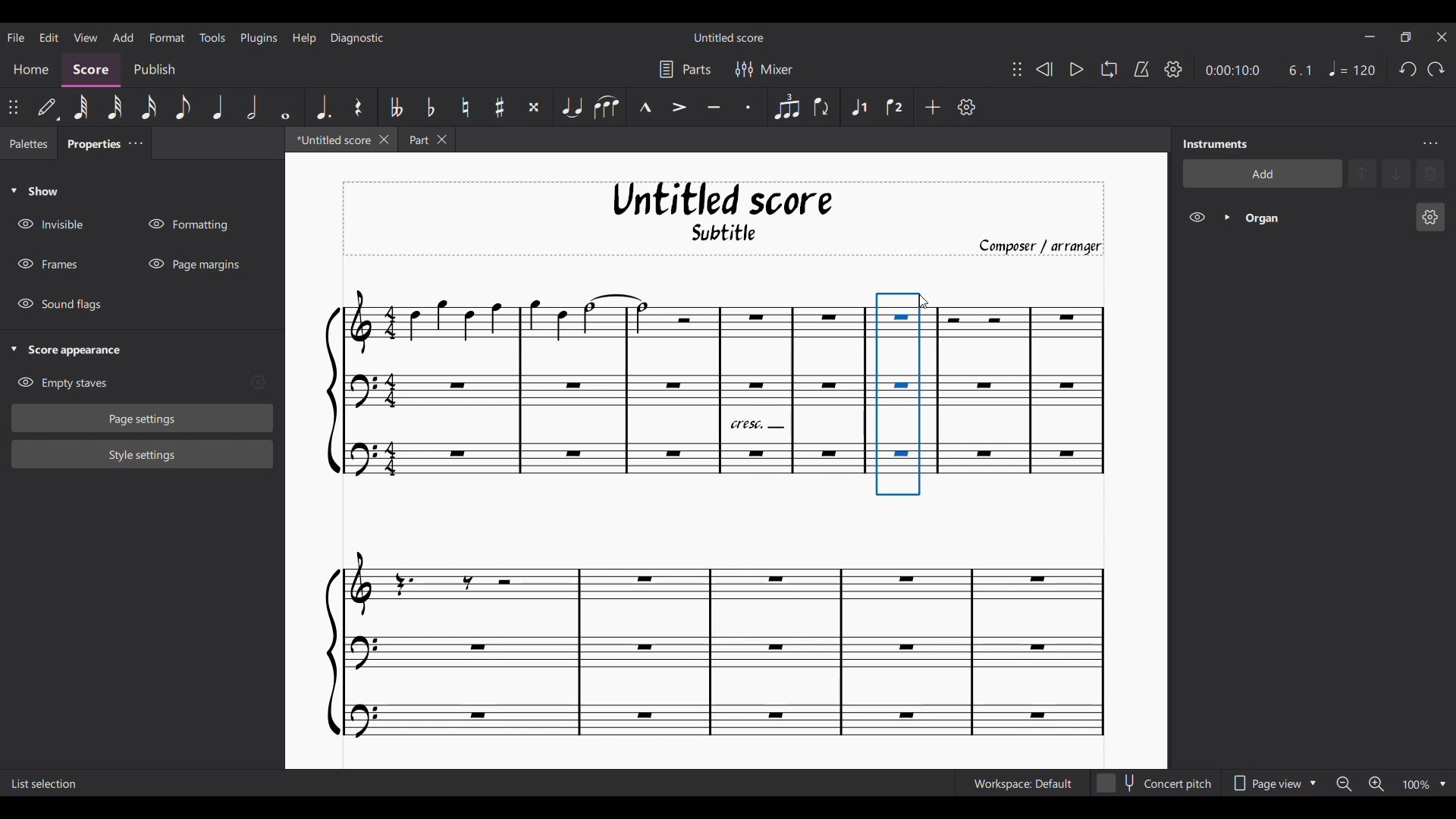 The width and height of the screenshot is (1456, 819). I want to click on Minimize, so click(1370, 36).